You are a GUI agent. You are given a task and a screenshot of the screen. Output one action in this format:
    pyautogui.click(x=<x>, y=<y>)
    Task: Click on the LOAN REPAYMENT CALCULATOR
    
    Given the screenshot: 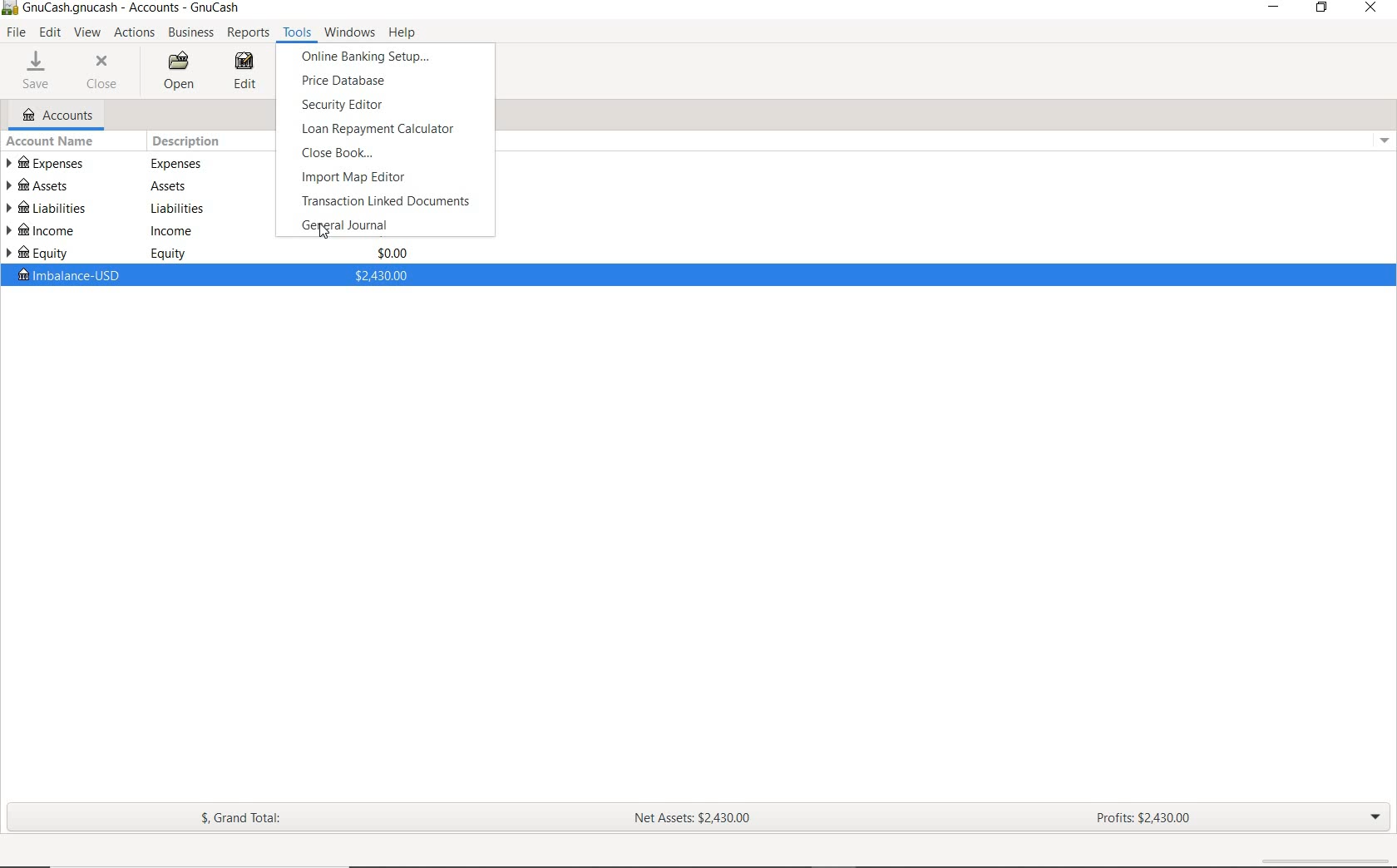 What is the action you would take?
    pyautogui.click(x=379, y=131)
    